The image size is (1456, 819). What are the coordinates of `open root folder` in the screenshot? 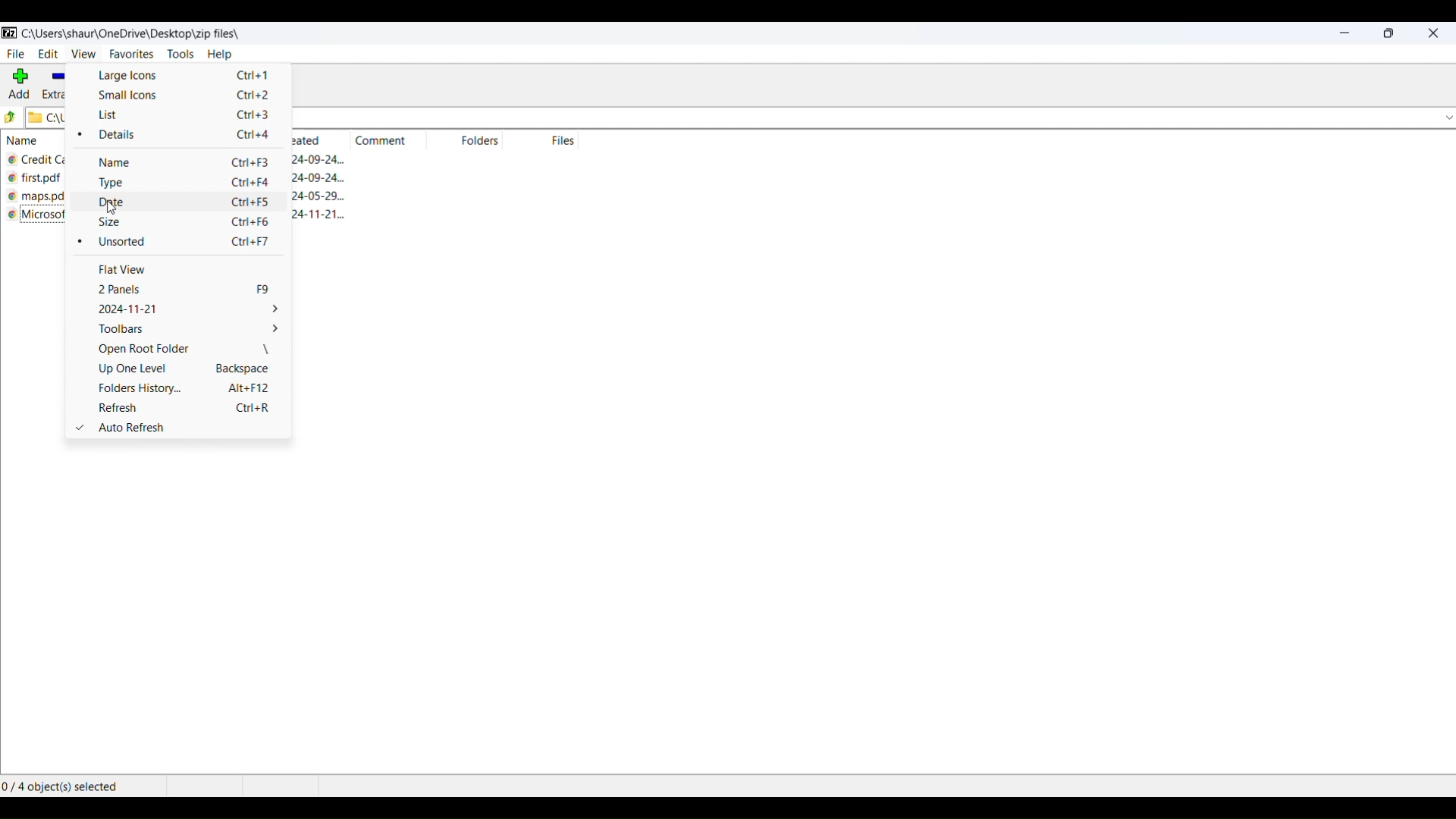 It's located at (181, 351).